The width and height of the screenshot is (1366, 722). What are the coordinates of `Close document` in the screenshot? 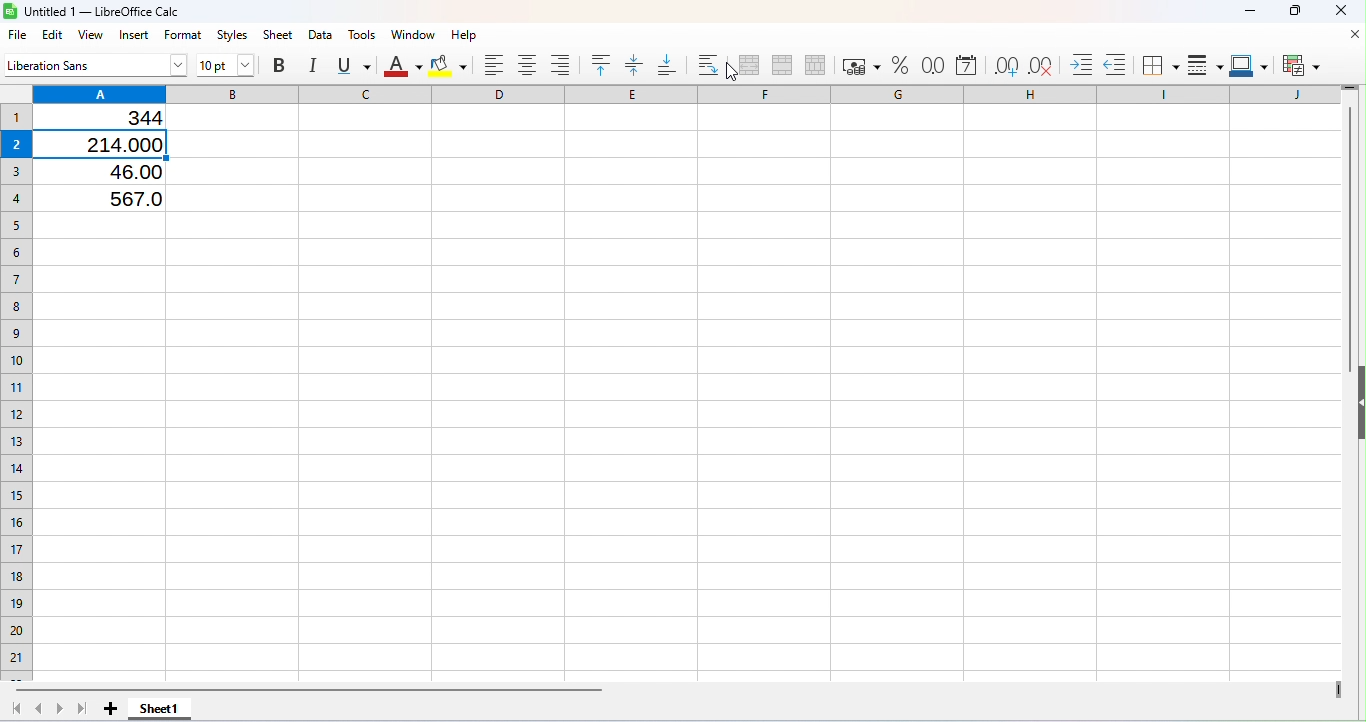 It's located at (1348, 33).